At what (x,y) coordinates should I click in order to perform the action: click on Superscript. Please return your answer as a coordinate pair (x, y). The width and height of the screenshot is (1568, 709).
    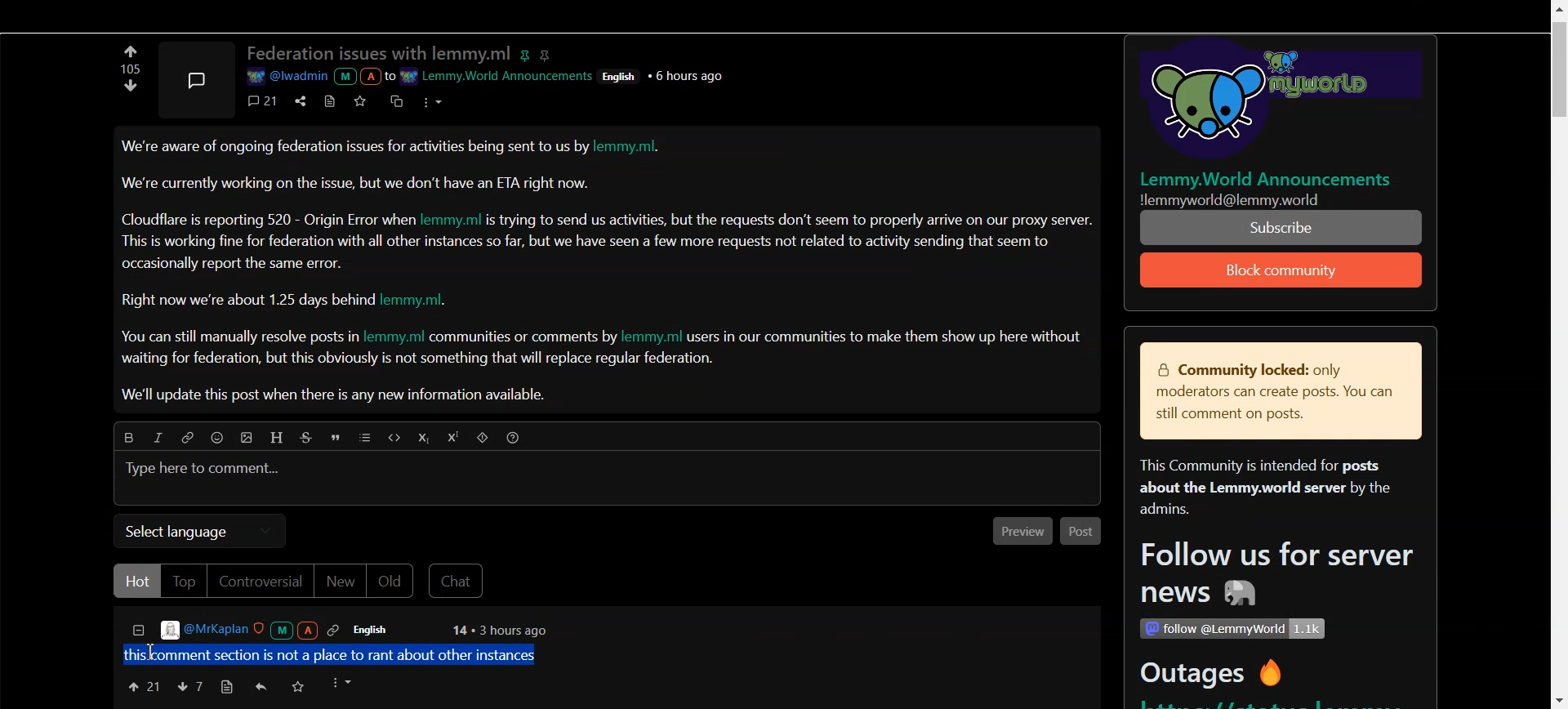
    Looking at the image, I should click on (456, 438).